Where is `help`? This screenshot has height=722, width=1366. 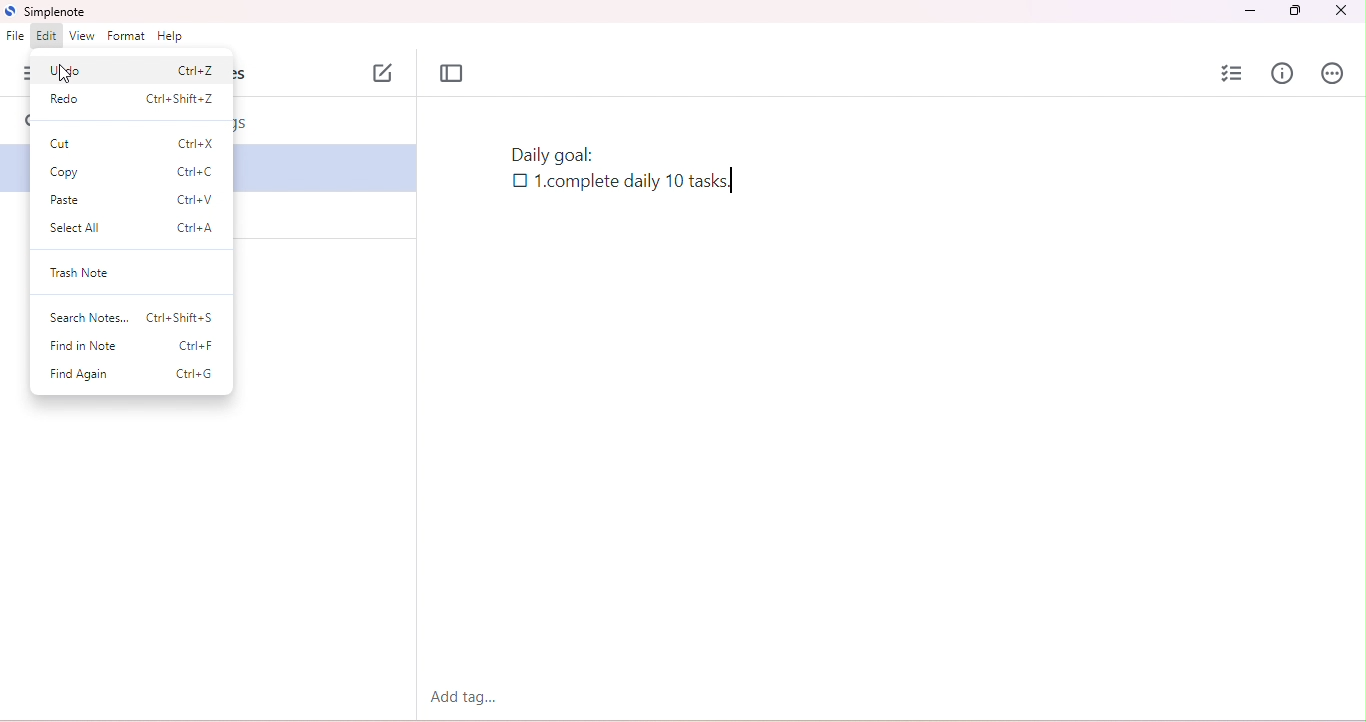
help is located at coordinates (171, 37).